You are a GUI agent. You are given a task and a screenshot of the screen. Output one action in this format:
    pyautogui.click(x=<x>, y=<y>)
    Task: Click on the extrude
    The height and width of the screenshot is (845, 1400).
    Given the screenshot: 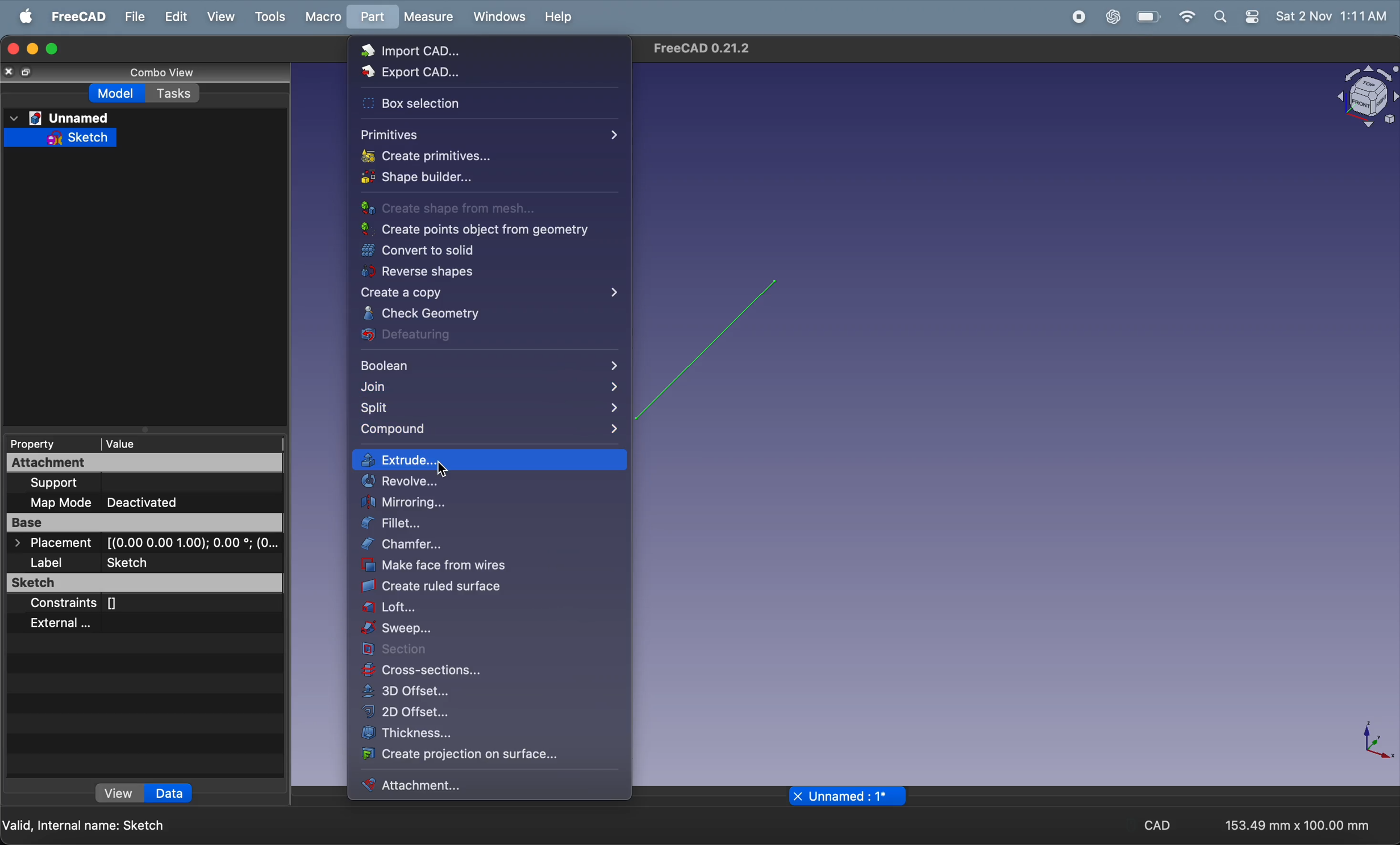 What is the action you would take?
    pyautogui.click(x=488, y=459)
    